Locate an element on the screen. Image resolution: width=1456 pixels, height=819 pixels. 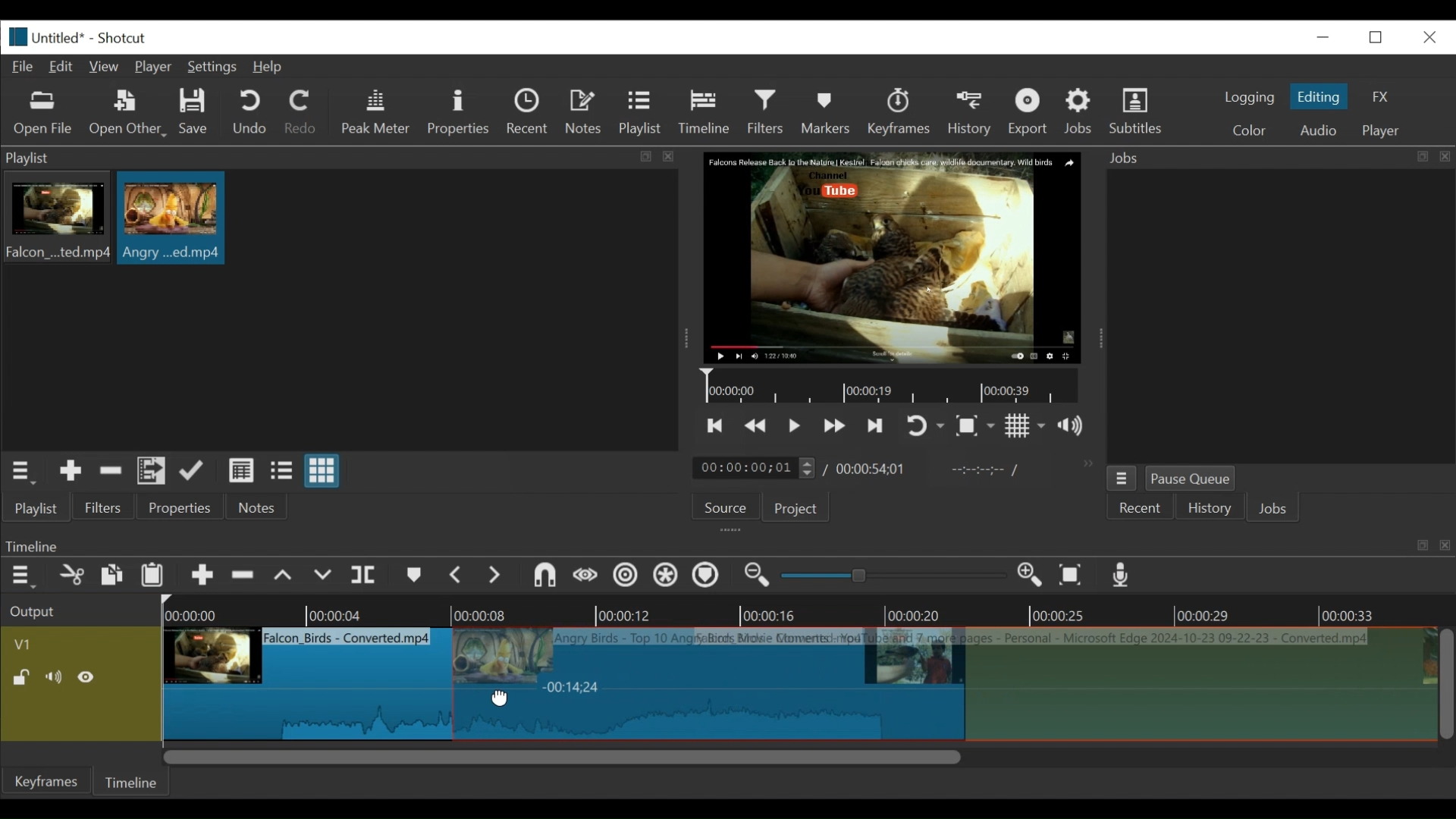
Jobs is located at coordinates (1081, 111).